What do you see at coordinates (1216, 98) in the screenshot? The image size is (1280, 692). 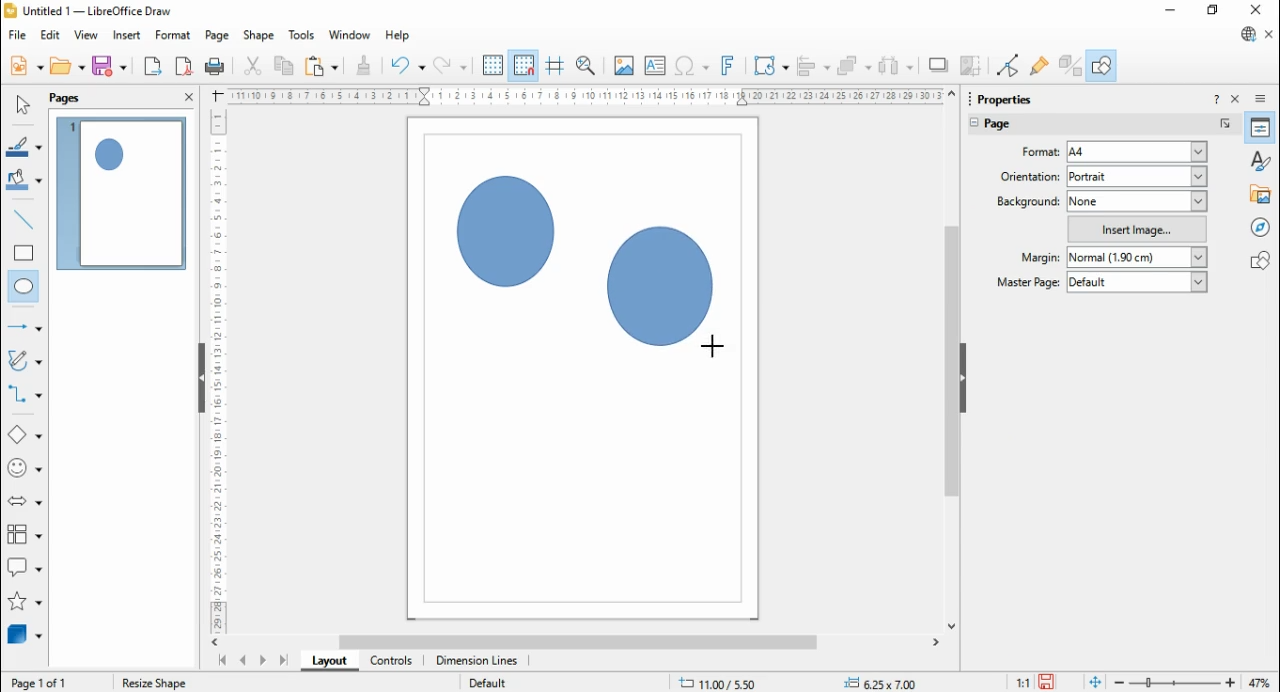 I see `help about this sidebar deck` at bounding box center [1216, 98].